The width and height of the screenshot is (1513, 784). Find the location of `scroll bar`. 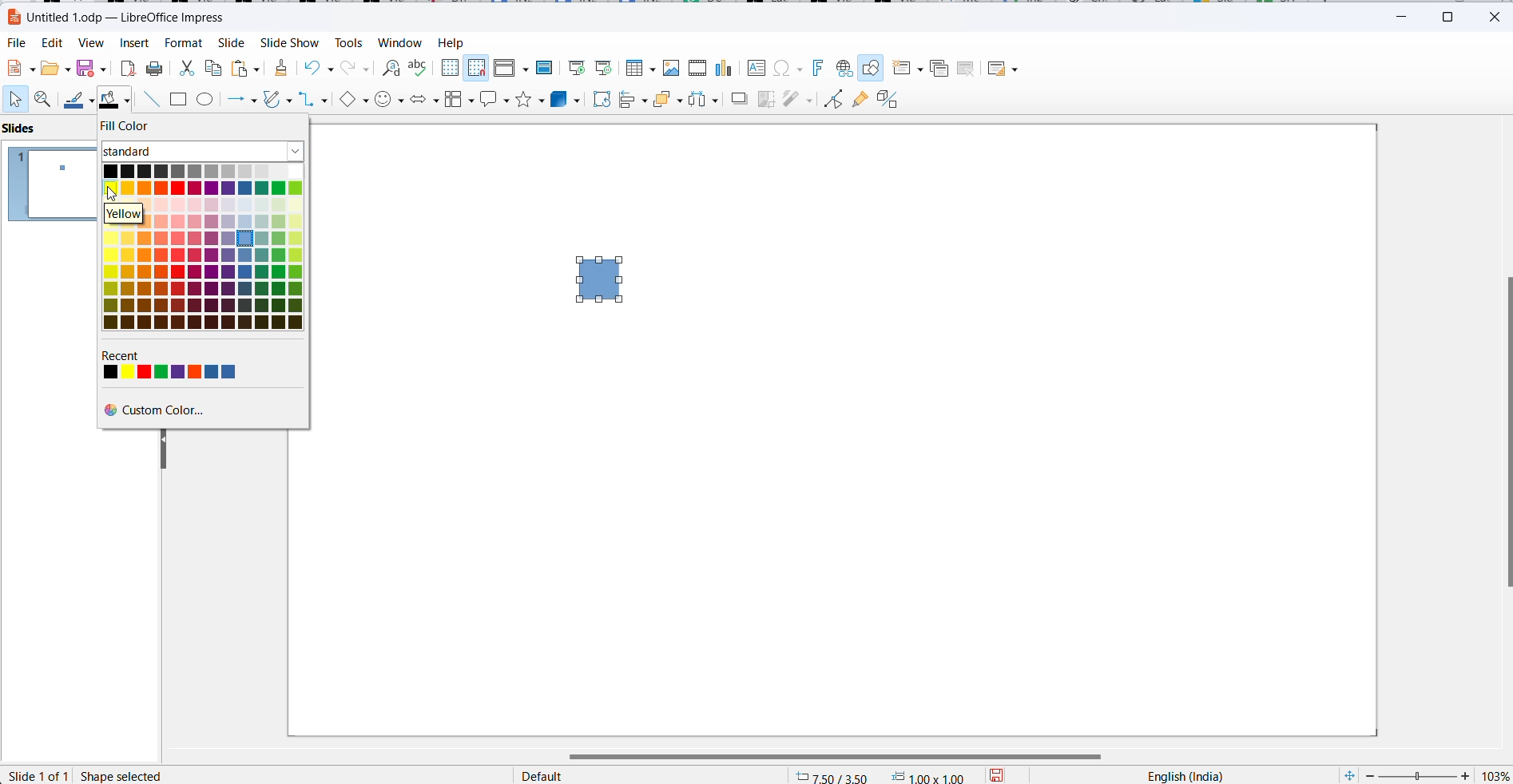

scroll bar is located at coordinates (1503, 433).